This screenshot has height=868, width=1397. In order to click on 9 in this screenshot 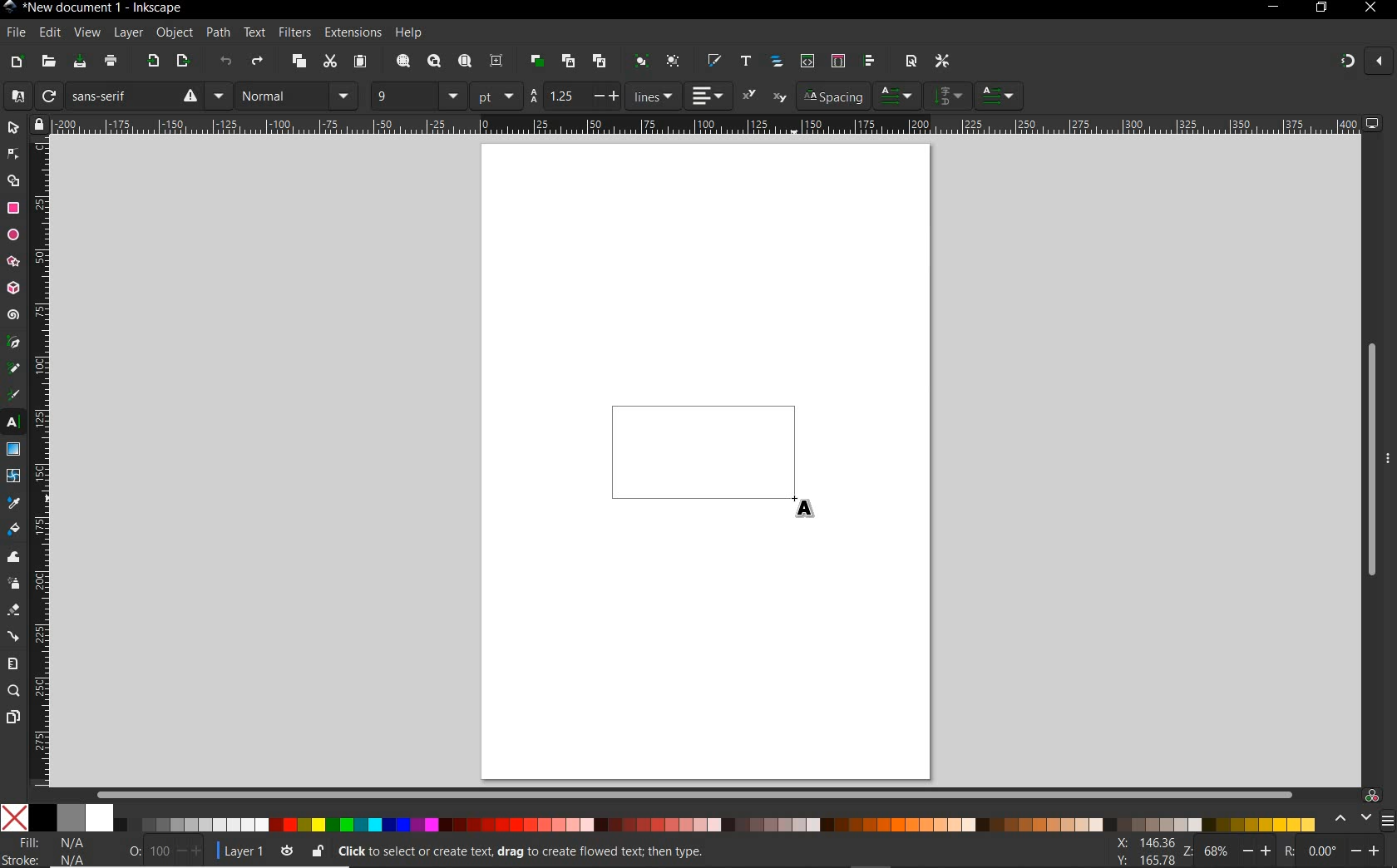, I will do `click(402, 94)`.